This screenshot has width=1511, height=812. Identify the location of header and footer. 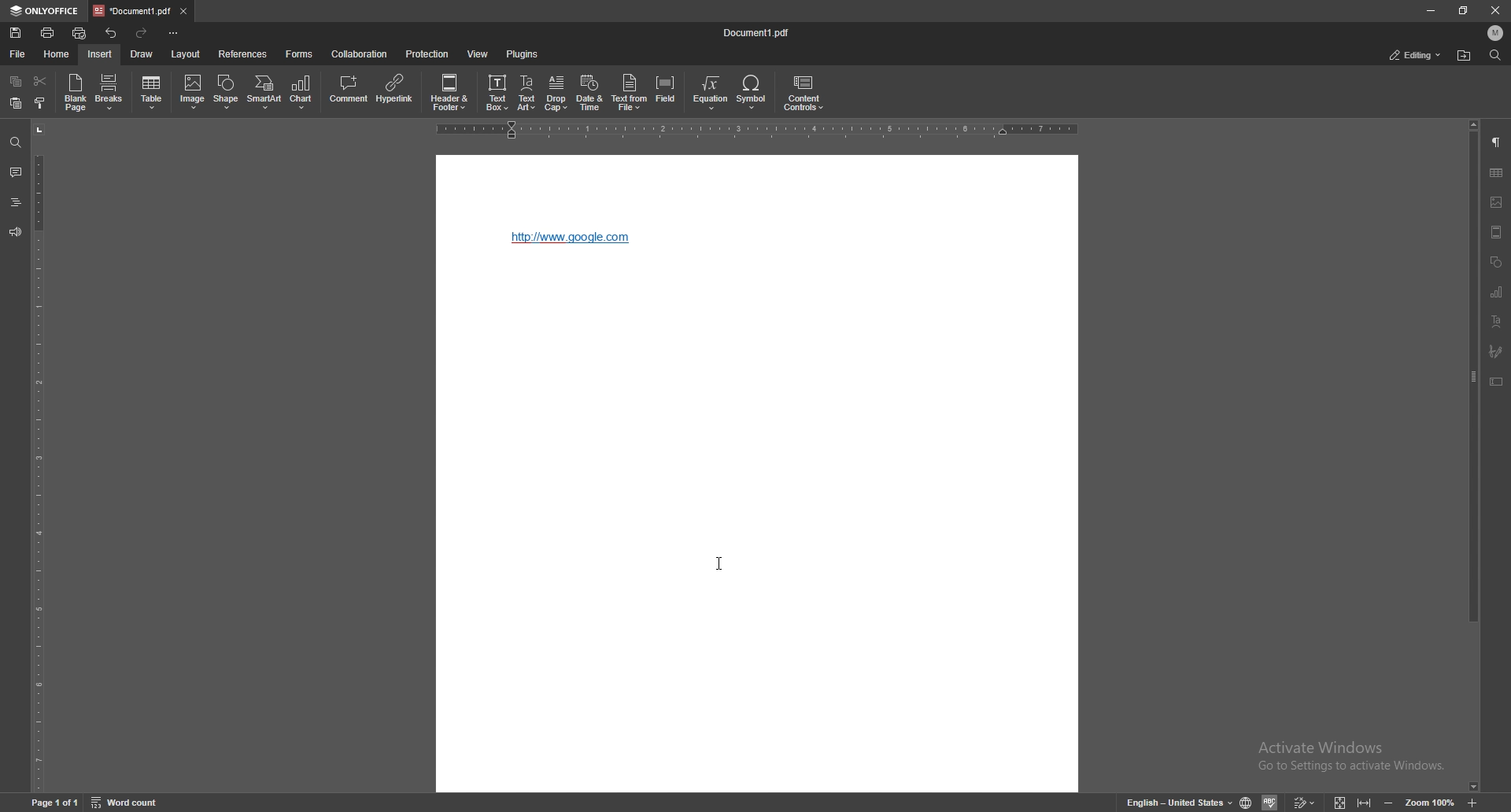
(451, 90).